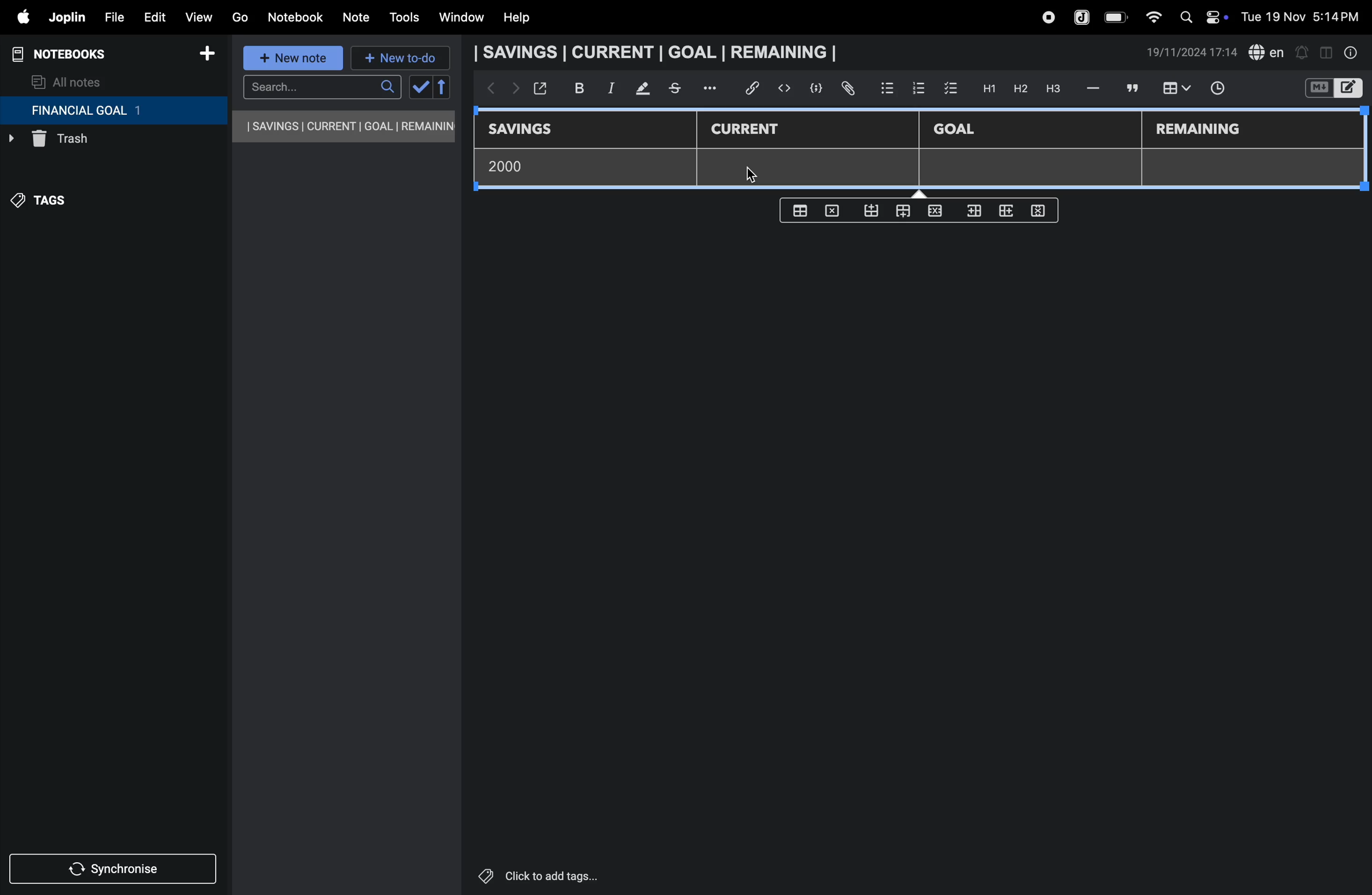  I want to click on delete rows, so click(1039, 210).